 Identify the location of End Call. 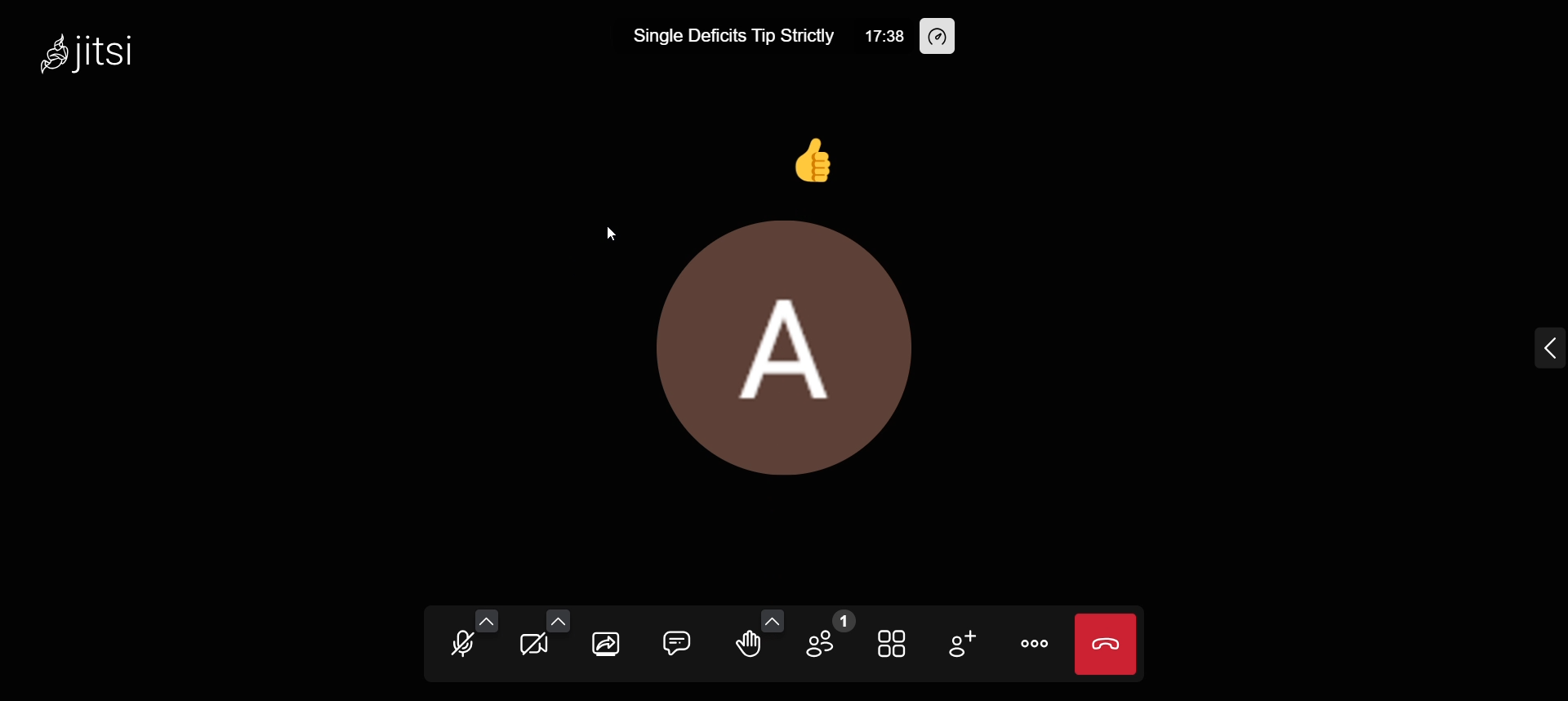
(1109, 645).